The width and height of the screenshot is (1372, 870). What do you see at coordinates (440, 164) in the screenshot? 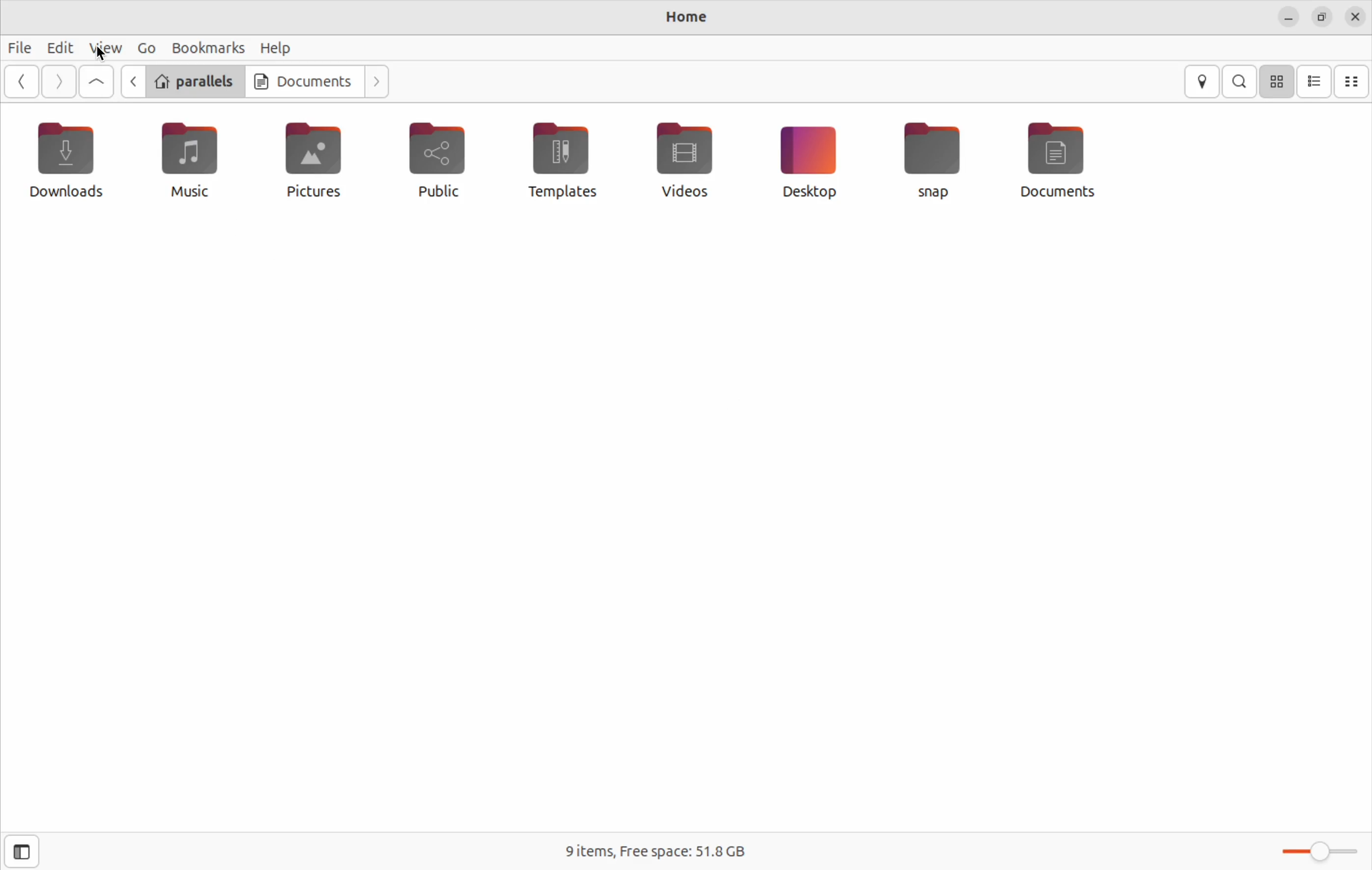
I see `Public` at bounding box center [440, 164].